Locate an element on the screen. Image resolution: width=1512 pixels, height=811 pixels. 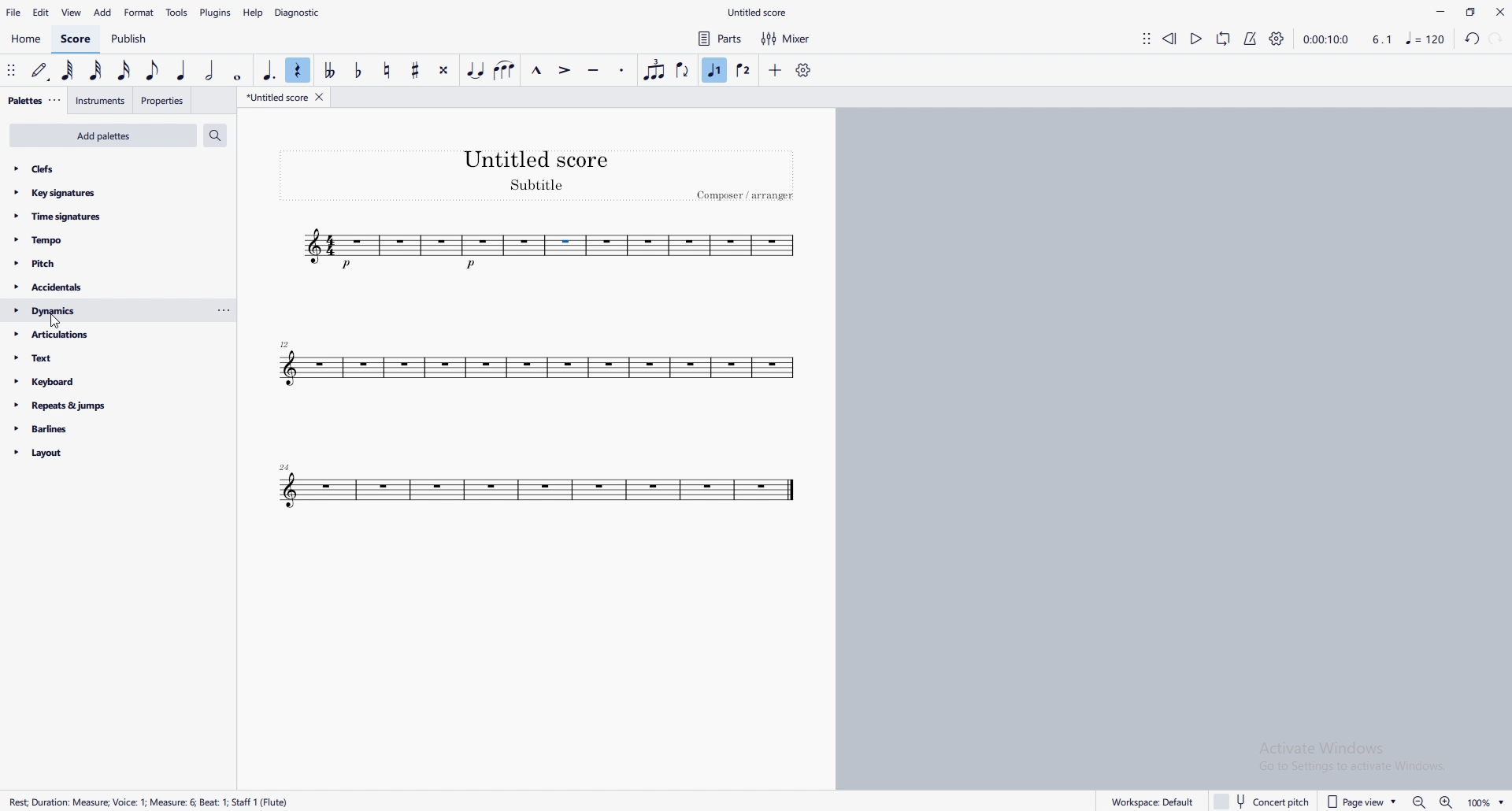
undo is located at coordinates (1473, 37).